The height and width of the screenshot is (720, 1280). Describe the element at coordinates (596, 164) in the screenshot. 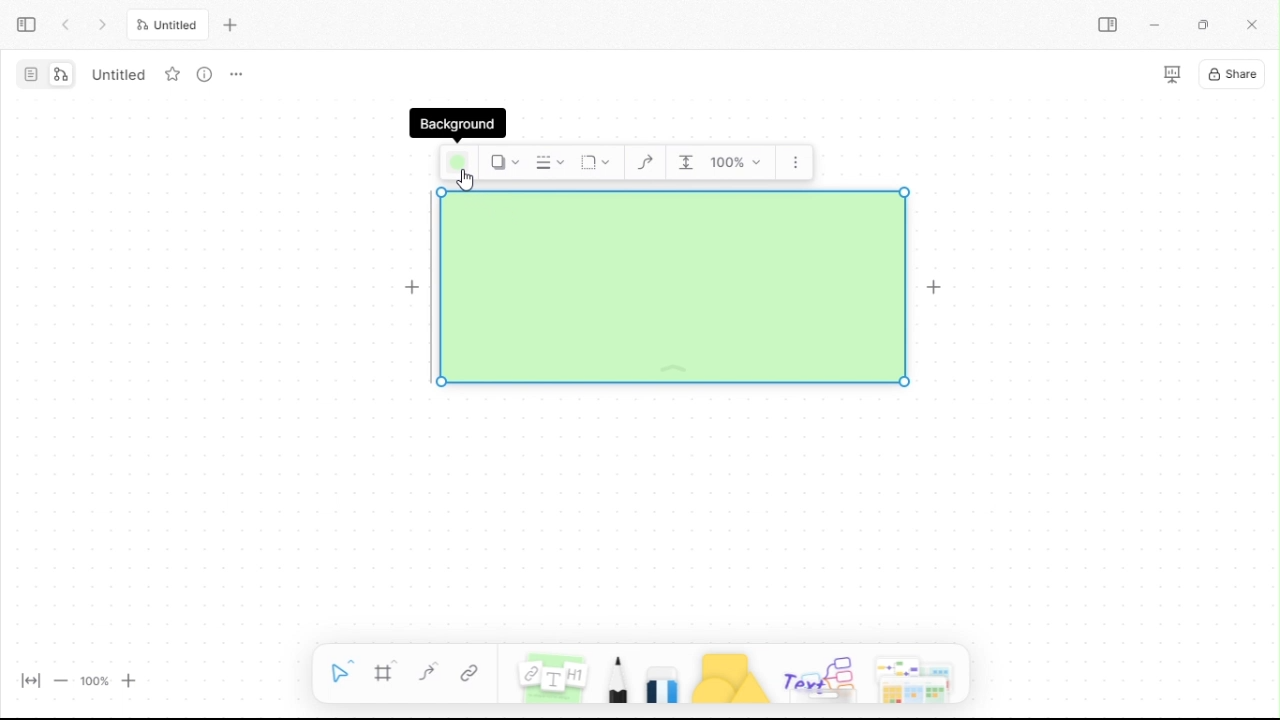

I see `Corners` at that location.